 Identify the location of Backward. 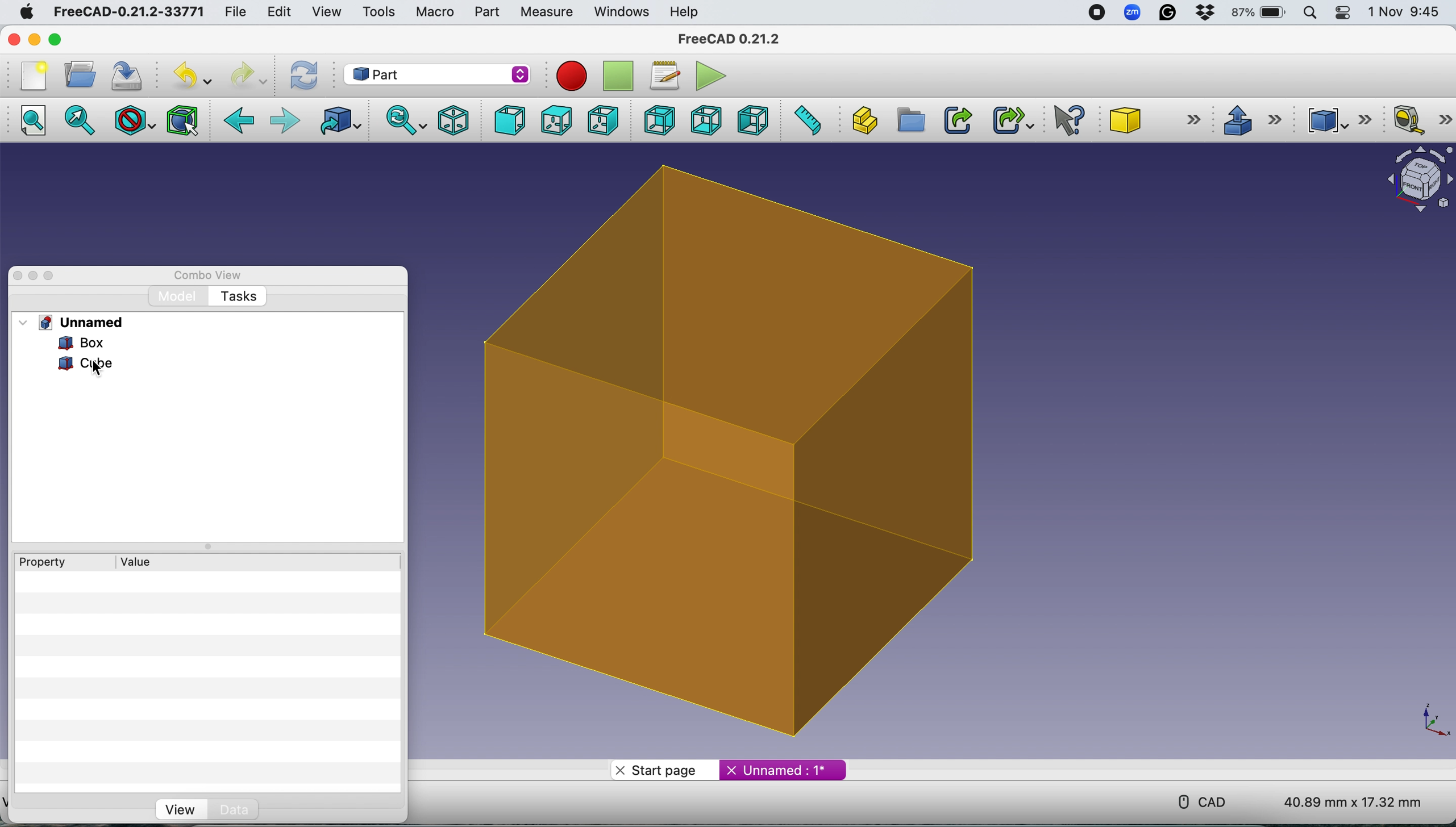
(240, 122).